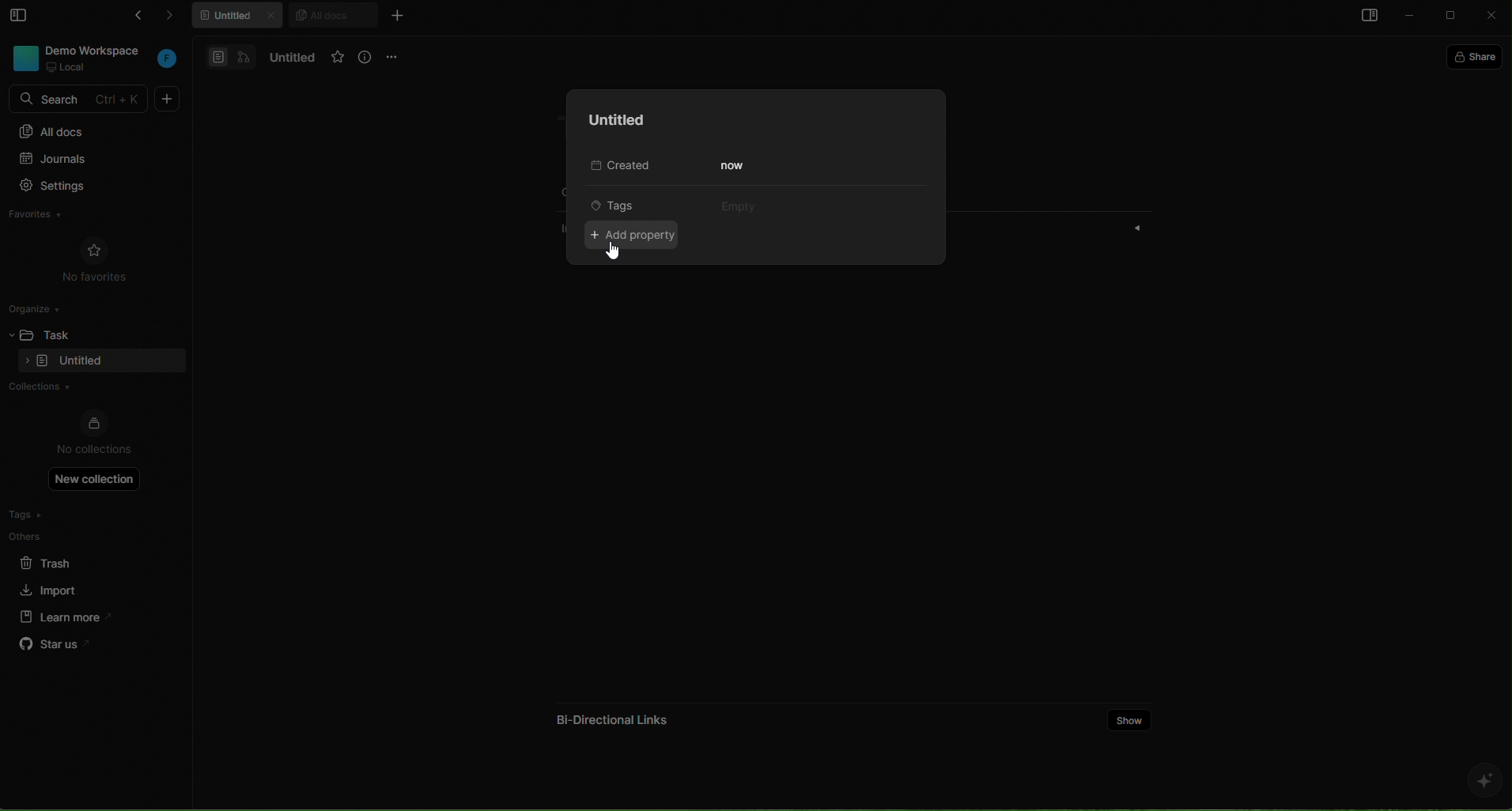 The image size is (1512, 811). I want to click on favorites, so click(51, 217).